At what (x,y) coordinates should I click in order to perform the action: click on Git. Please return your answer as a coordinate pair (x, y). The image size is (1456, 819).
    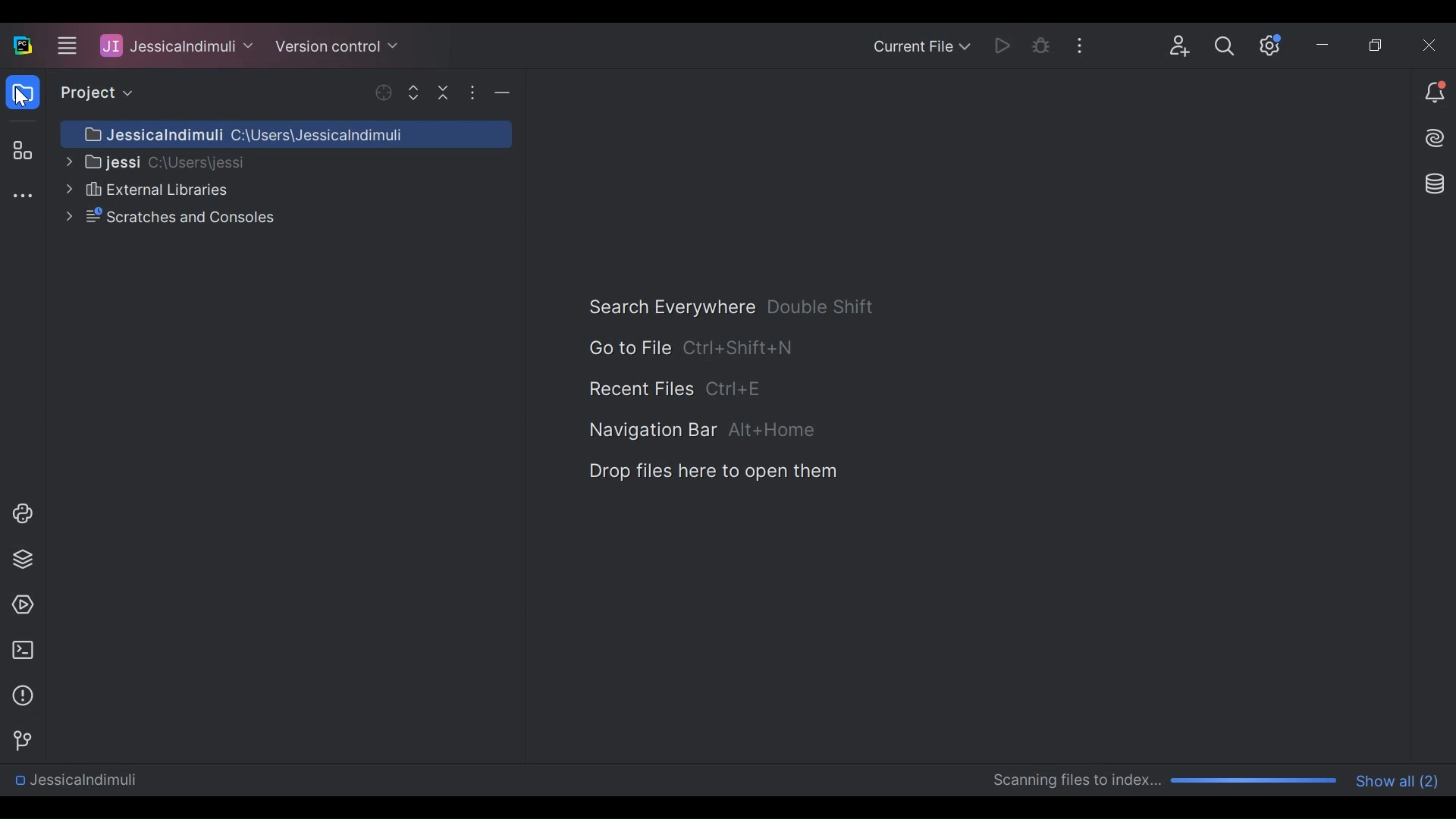
    Looking at the image, I should click on (17, 738).